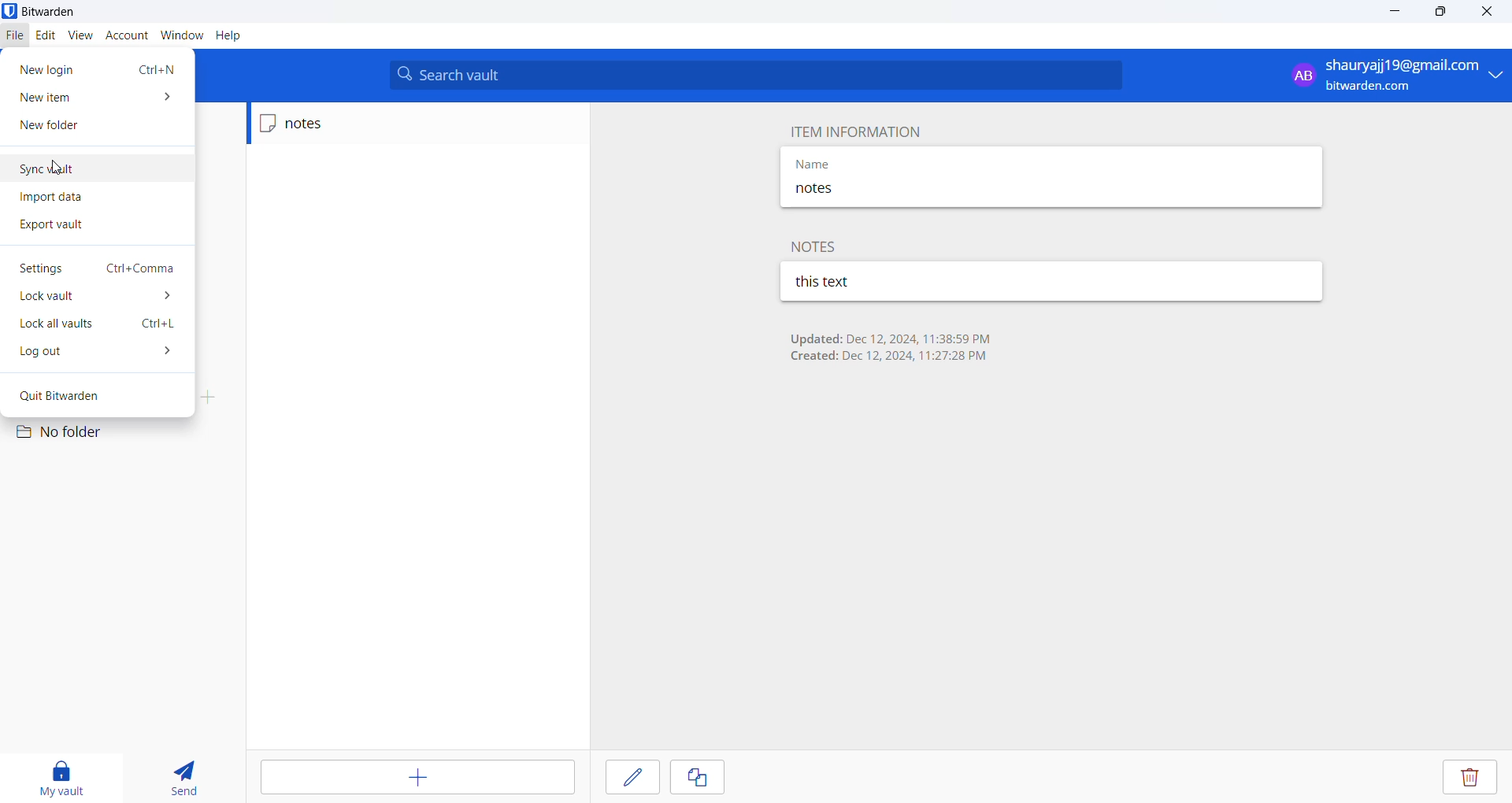 This screenshot has height=803, width=1512. I want to click on edit, so click(43, 35).